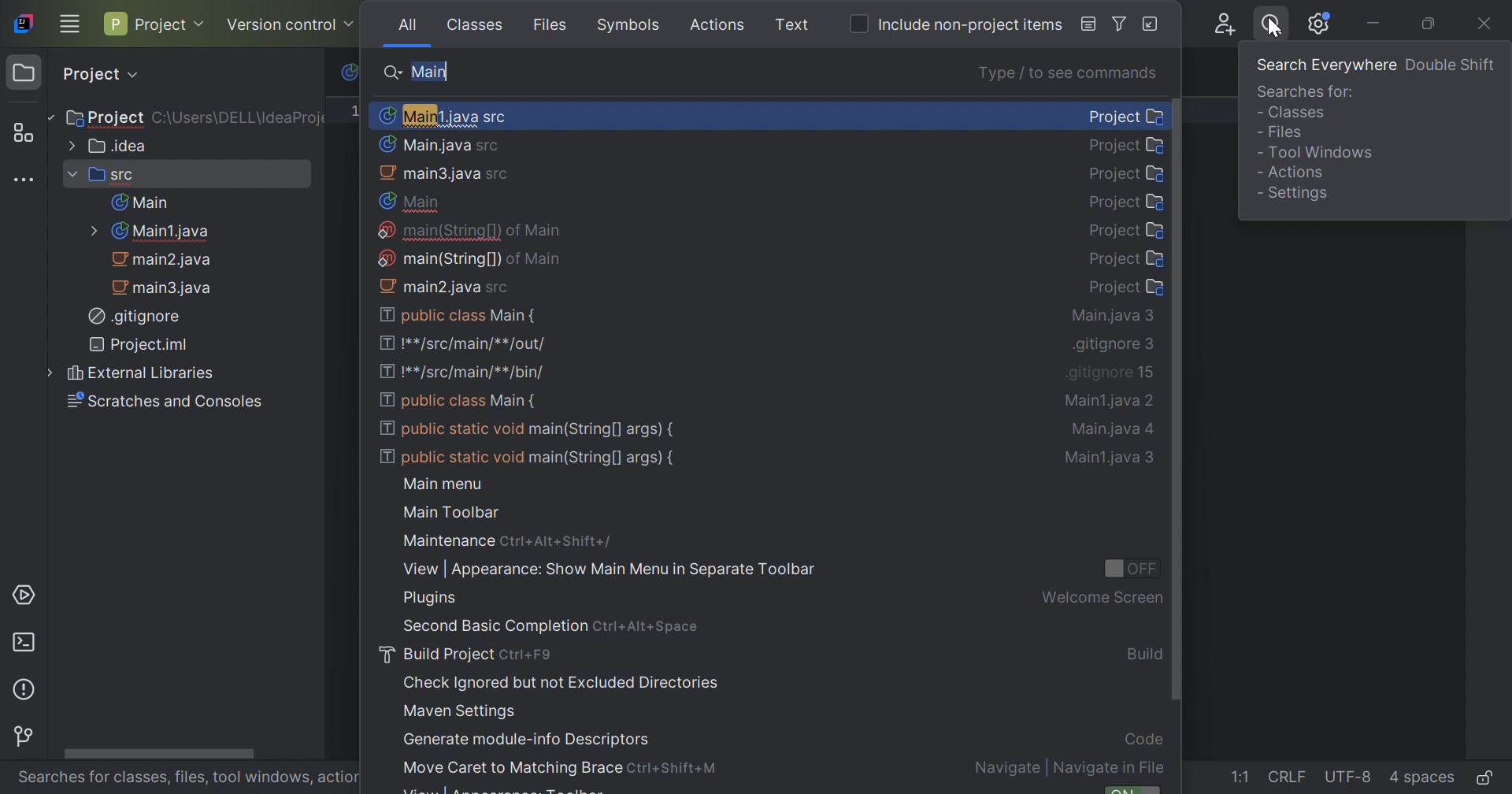 The image size is (1512, 794). What do you see at coordinates (27, 23) in the screenshot?
I see `IntelliJ IDEA icon` at bounding box center [27, 23].